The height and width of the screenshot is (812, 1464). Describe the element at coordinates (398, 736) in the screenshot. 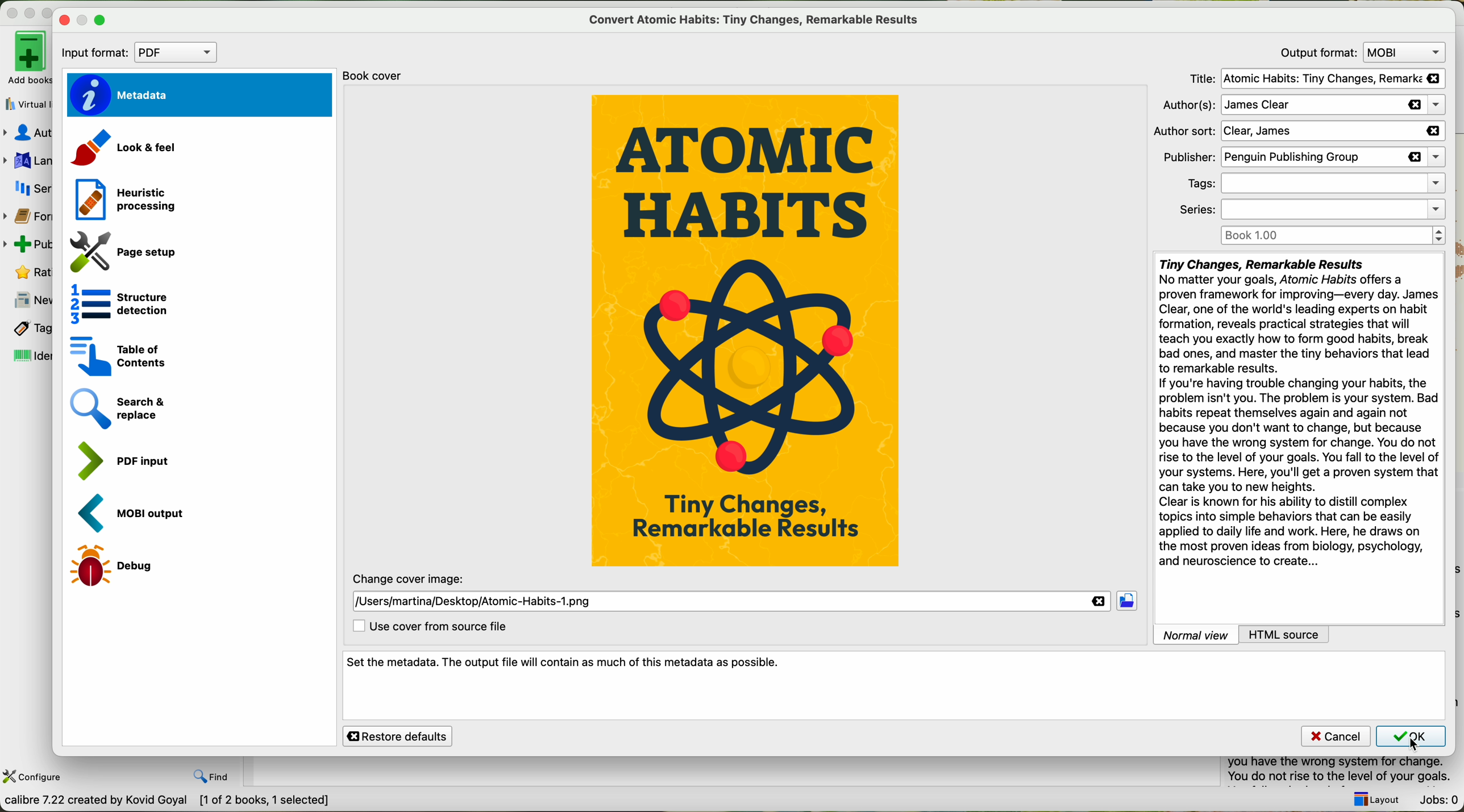

I see `restore defaults` at that location.